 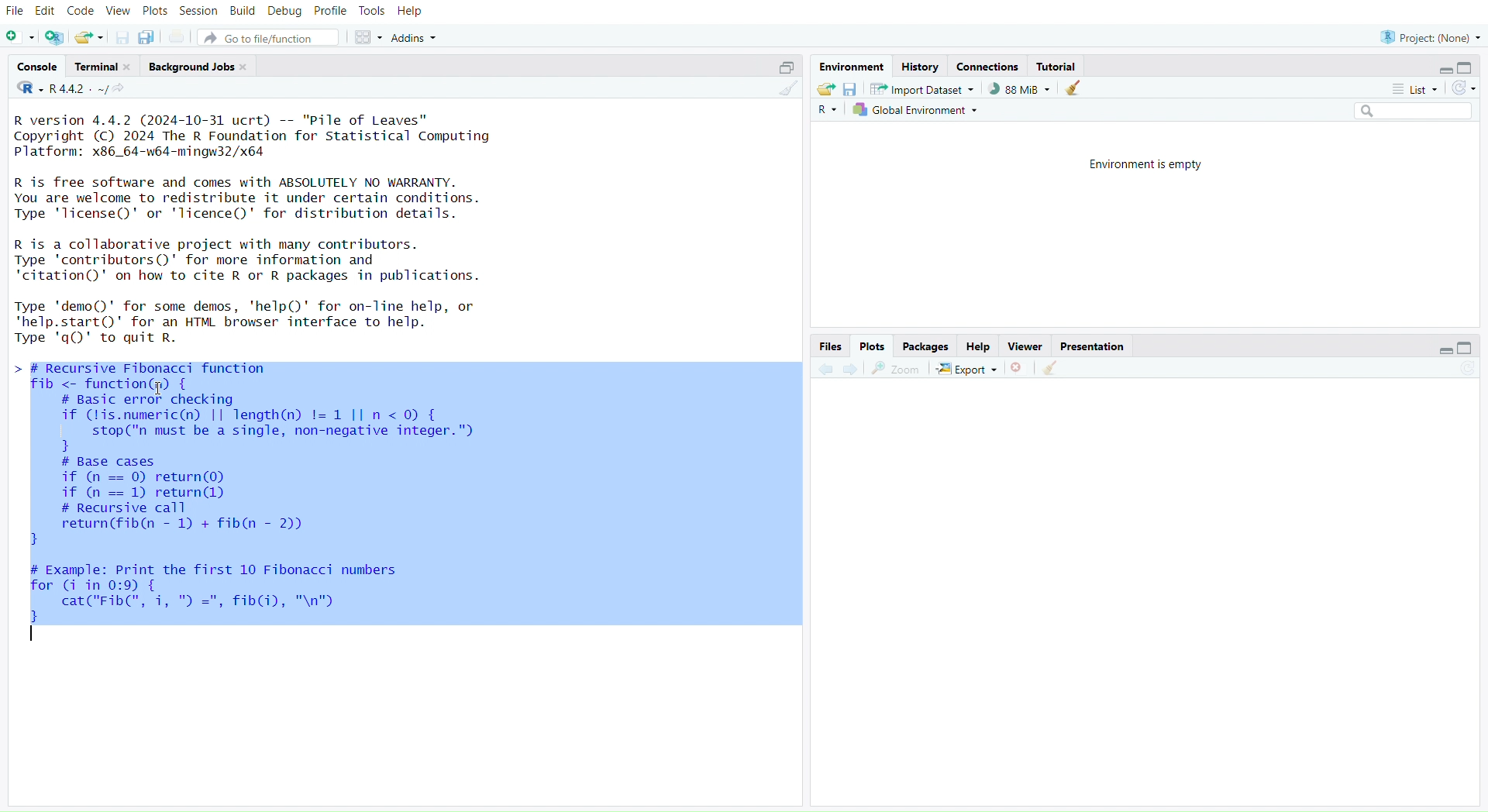 What do you see at coordinates (123, 39) in the screenshot?
I see `save current document` at bounding box center [123, 39].